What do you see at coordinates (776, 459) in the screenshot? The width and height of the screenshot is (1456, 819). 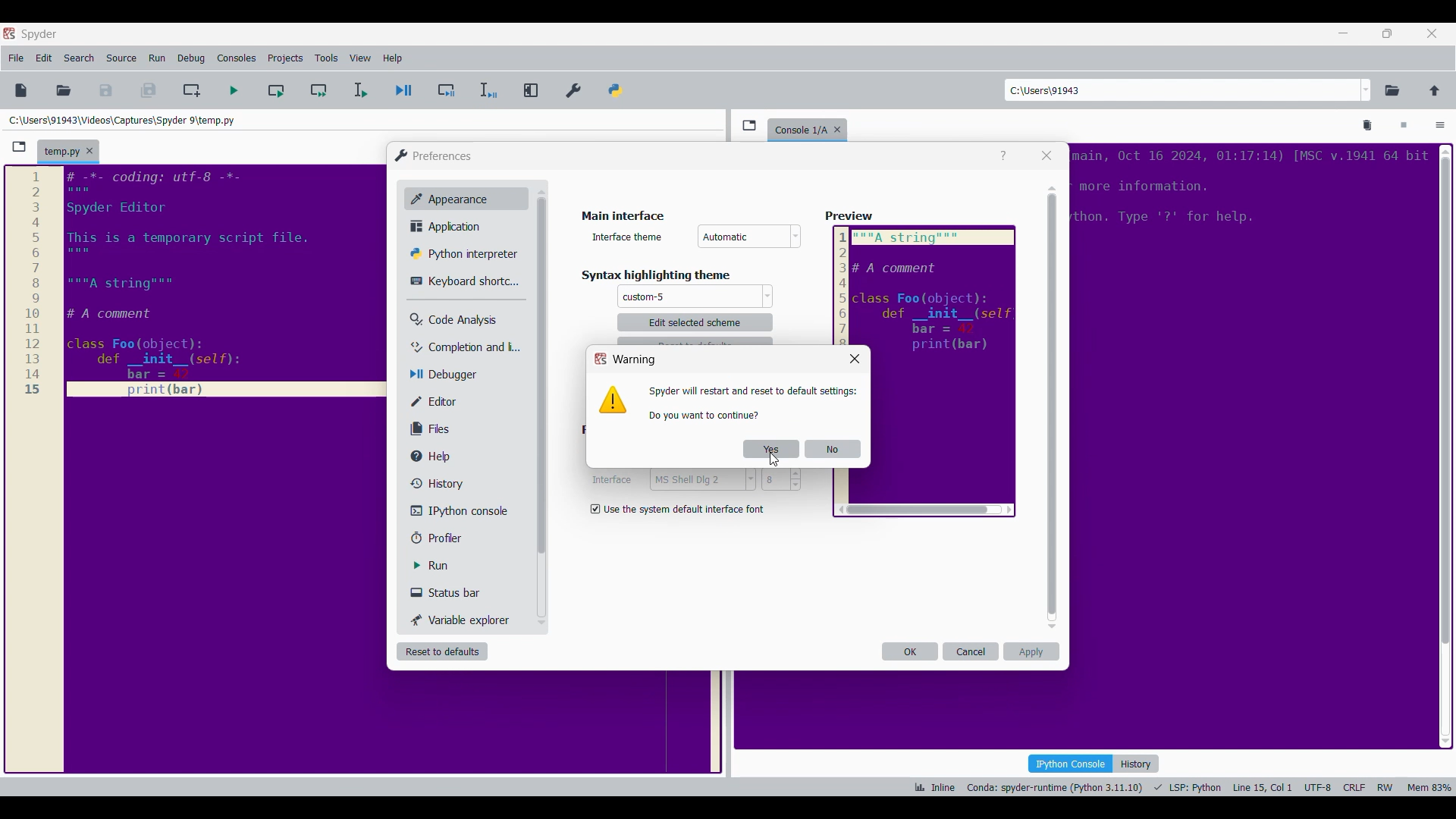 I see `cursor` at bounding box center [776, 459].